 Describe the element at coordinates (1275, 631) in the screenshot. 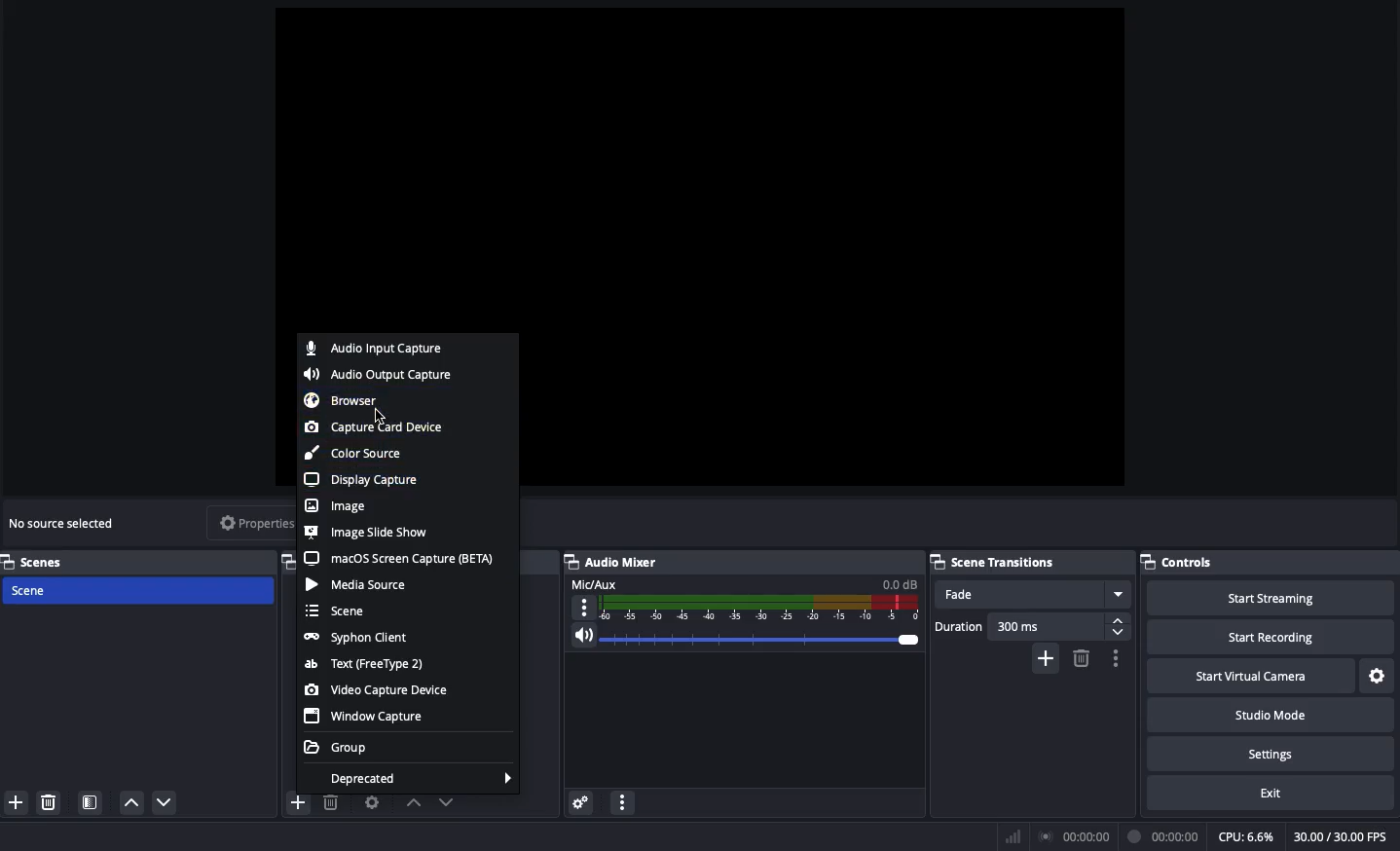

I see `Start recording` at that location.